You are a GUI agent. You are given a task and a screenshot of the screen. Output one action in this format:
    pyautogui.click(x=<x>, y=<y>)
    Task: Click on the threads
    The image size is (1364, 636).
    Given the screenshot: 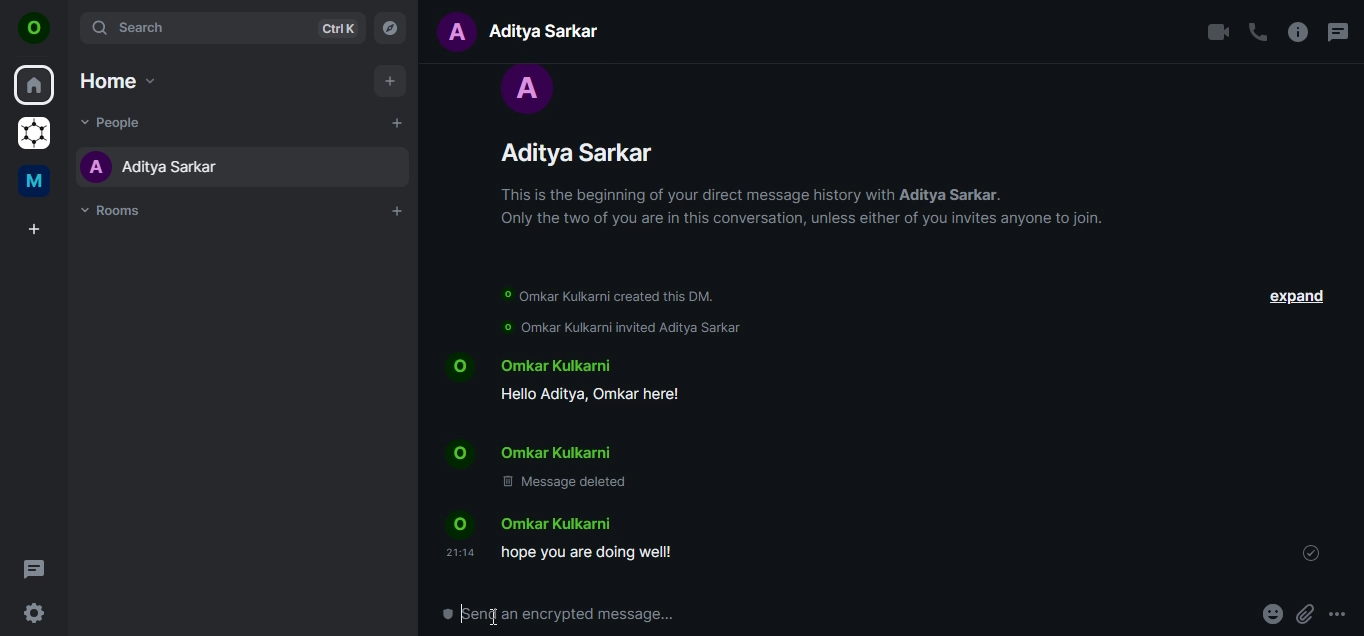 What is the action you would take?
    pyautogui.click(x=1340, y=35)
    